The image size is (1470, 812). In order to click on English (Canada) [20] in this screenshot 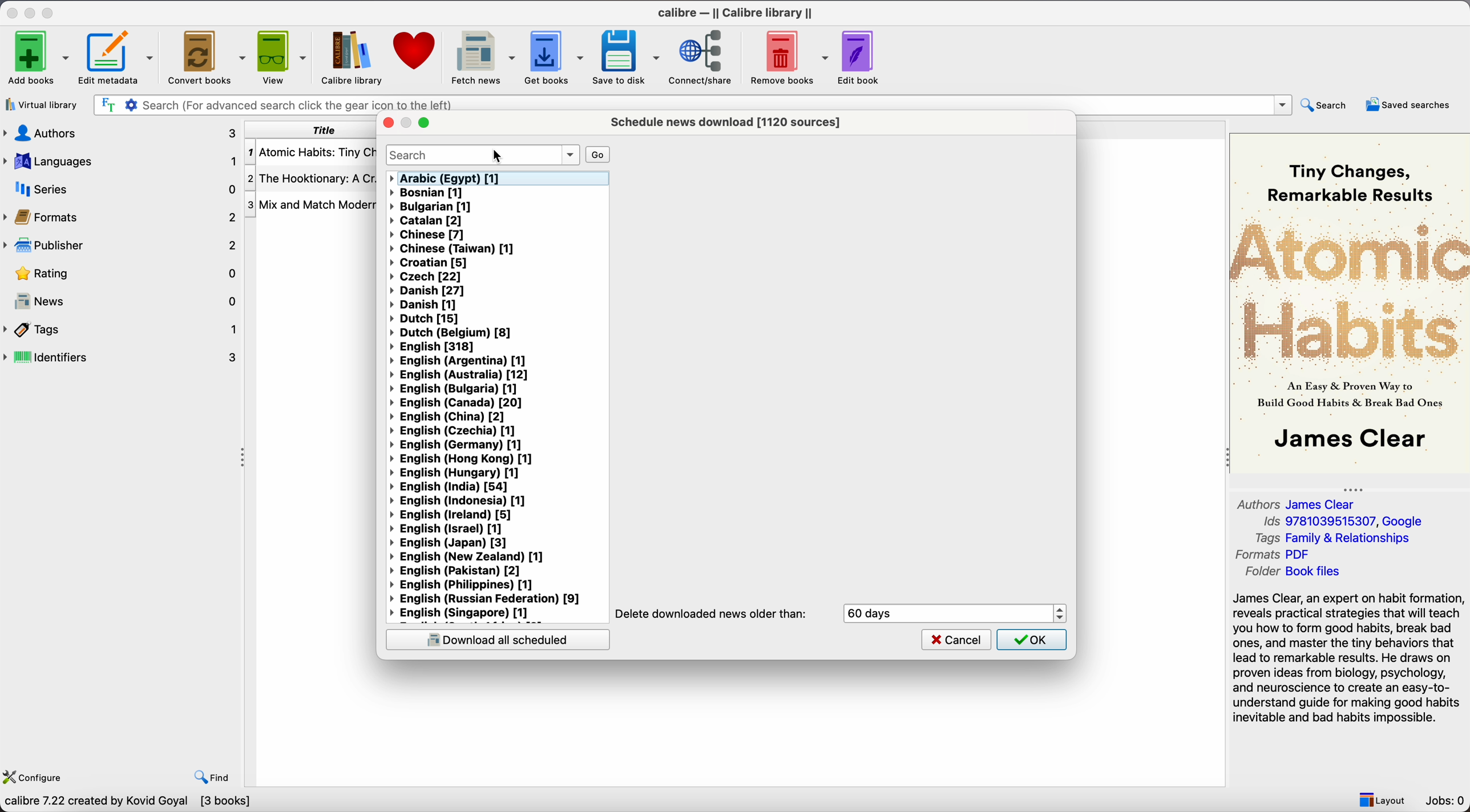, I will do `click(455, 402)`.